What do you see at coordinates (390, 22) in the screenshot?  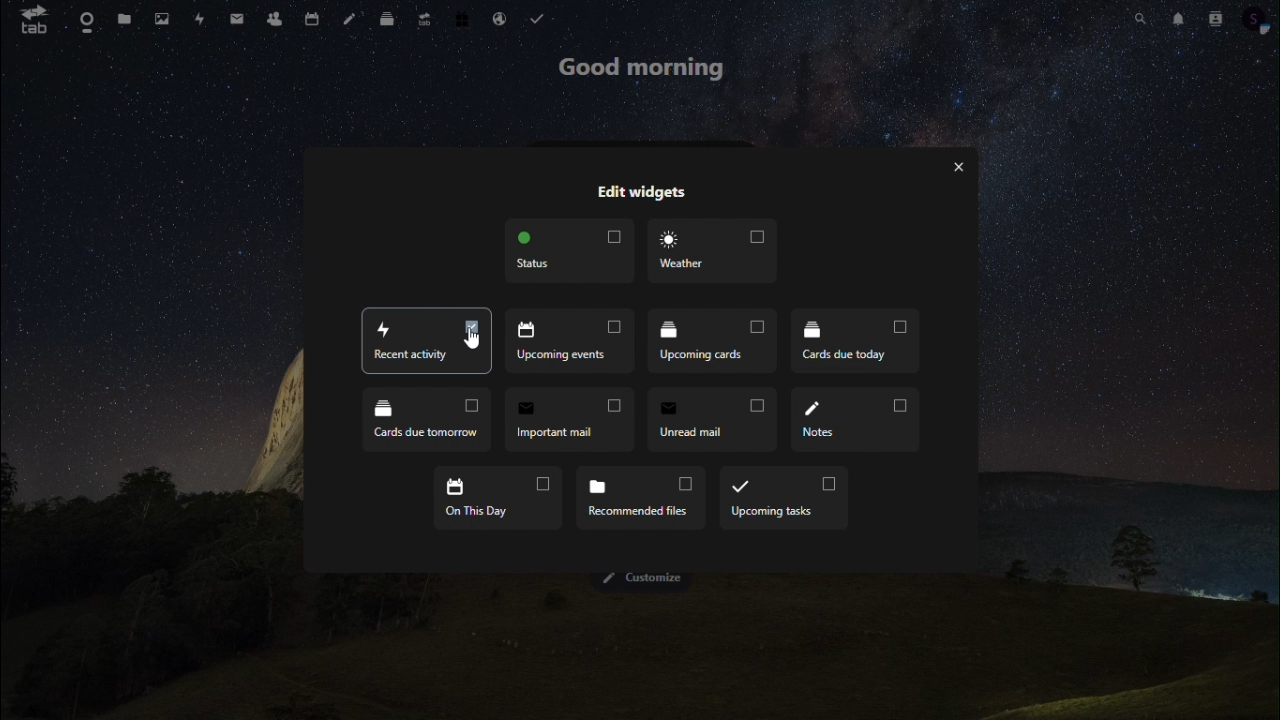 I see `deck` at bounding box center [390, 22].